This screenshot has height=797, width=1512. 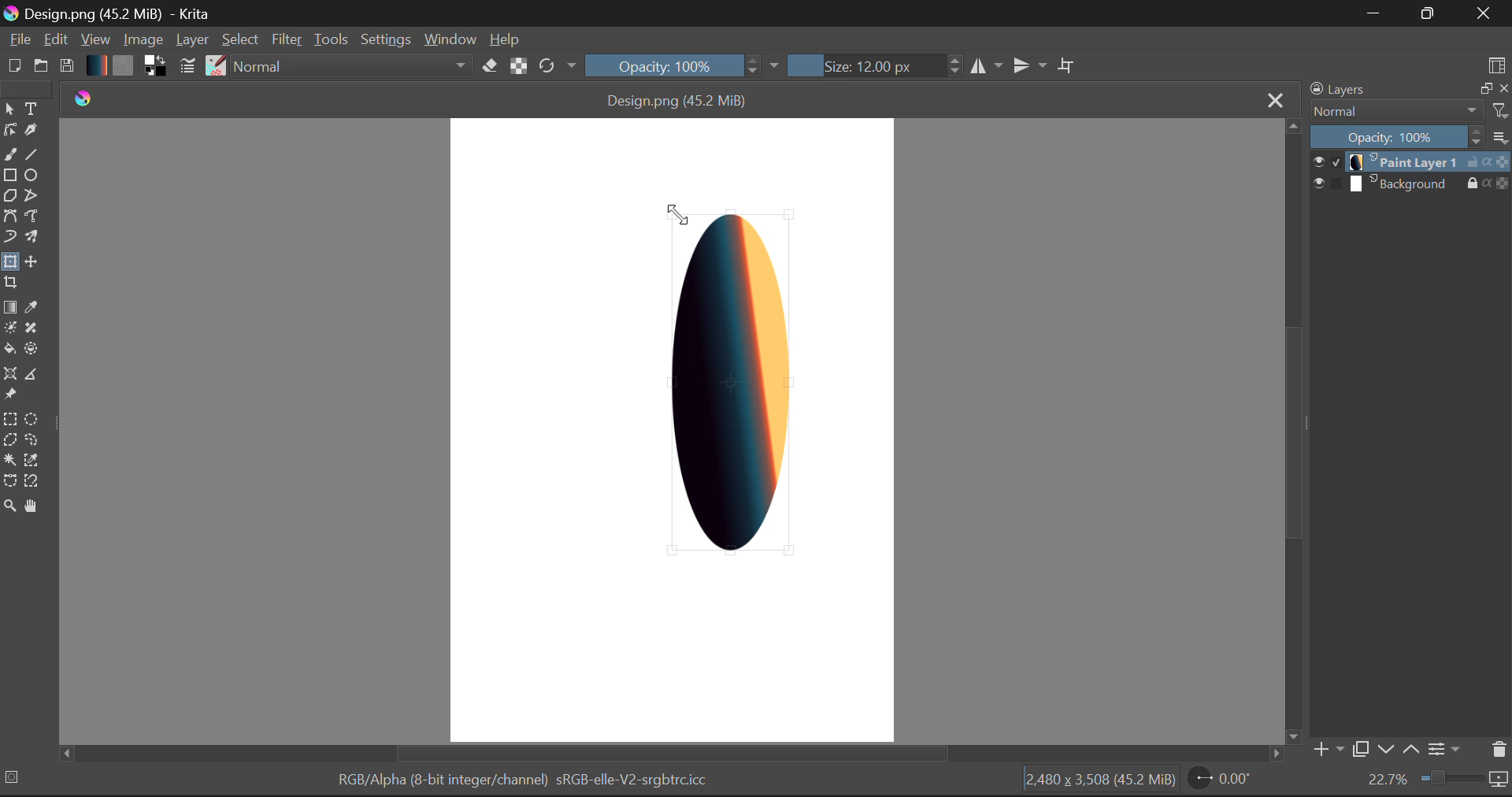 What do you see at coordinates (9, 198) in the screenshot?
I see `Polygon` at bounding box center [9, 198].